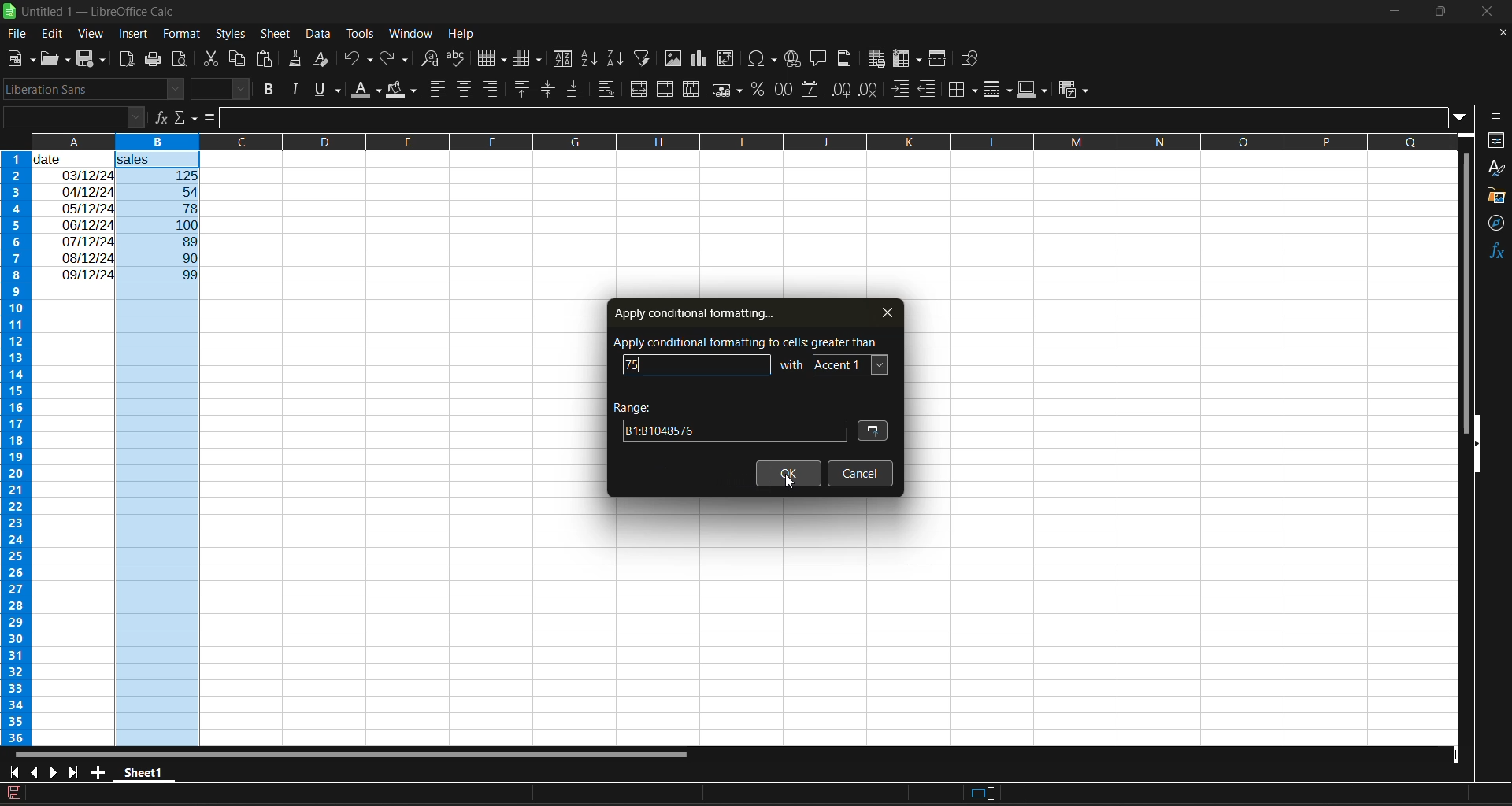 This screenshot has height=806, width=1512. Describe the element at coordinates (759, 90) in the screenshot. I see `format as percent` at that location.